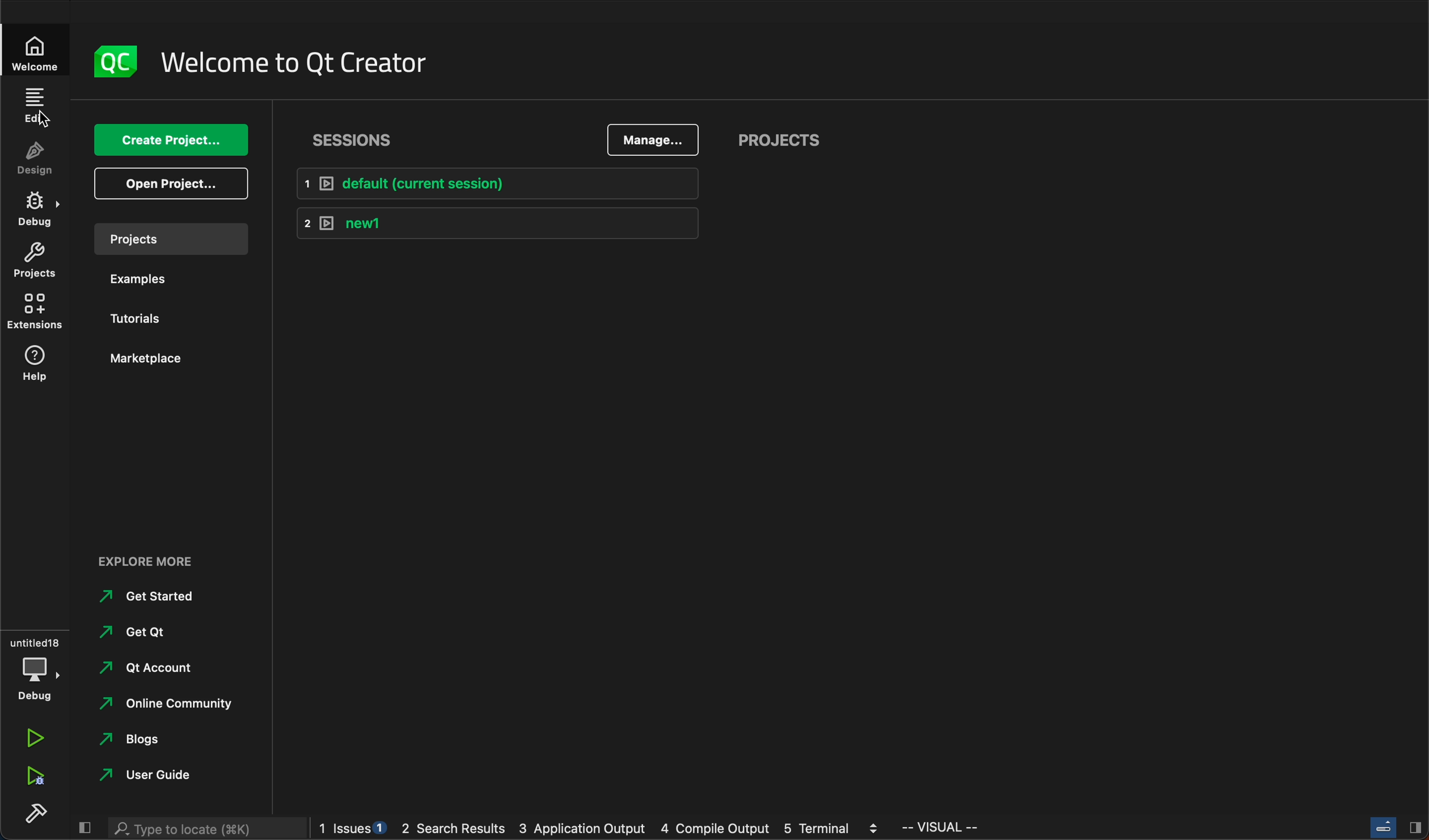 This screenshot has height=840, width=1429. Describe the element at coordinates (171, 239) in the screenshot. I see `projects` at that location.